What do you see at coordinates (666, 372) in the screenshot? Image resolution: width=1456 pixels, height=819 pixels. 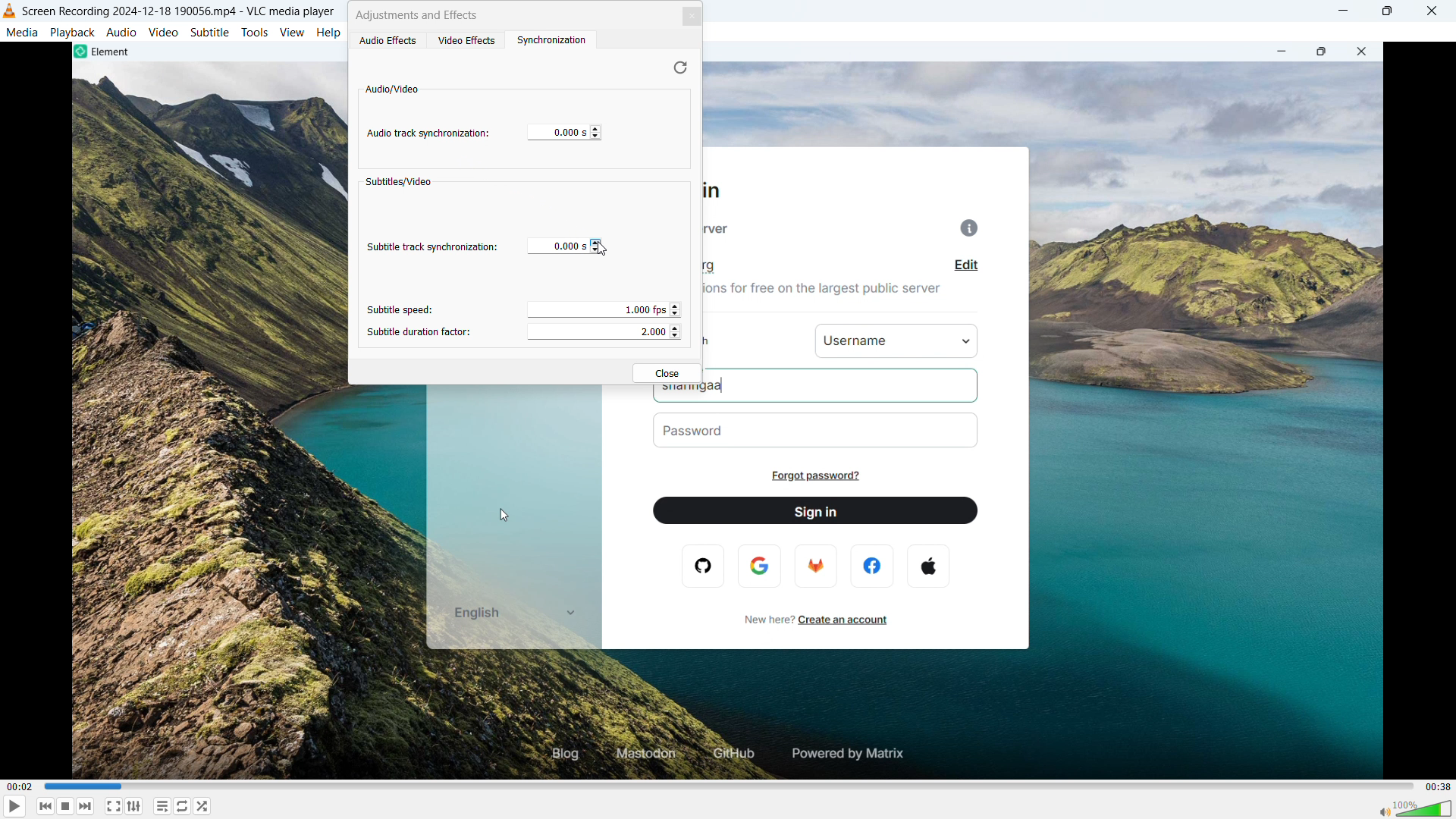 I see `close` at bounding box center [666, 372].